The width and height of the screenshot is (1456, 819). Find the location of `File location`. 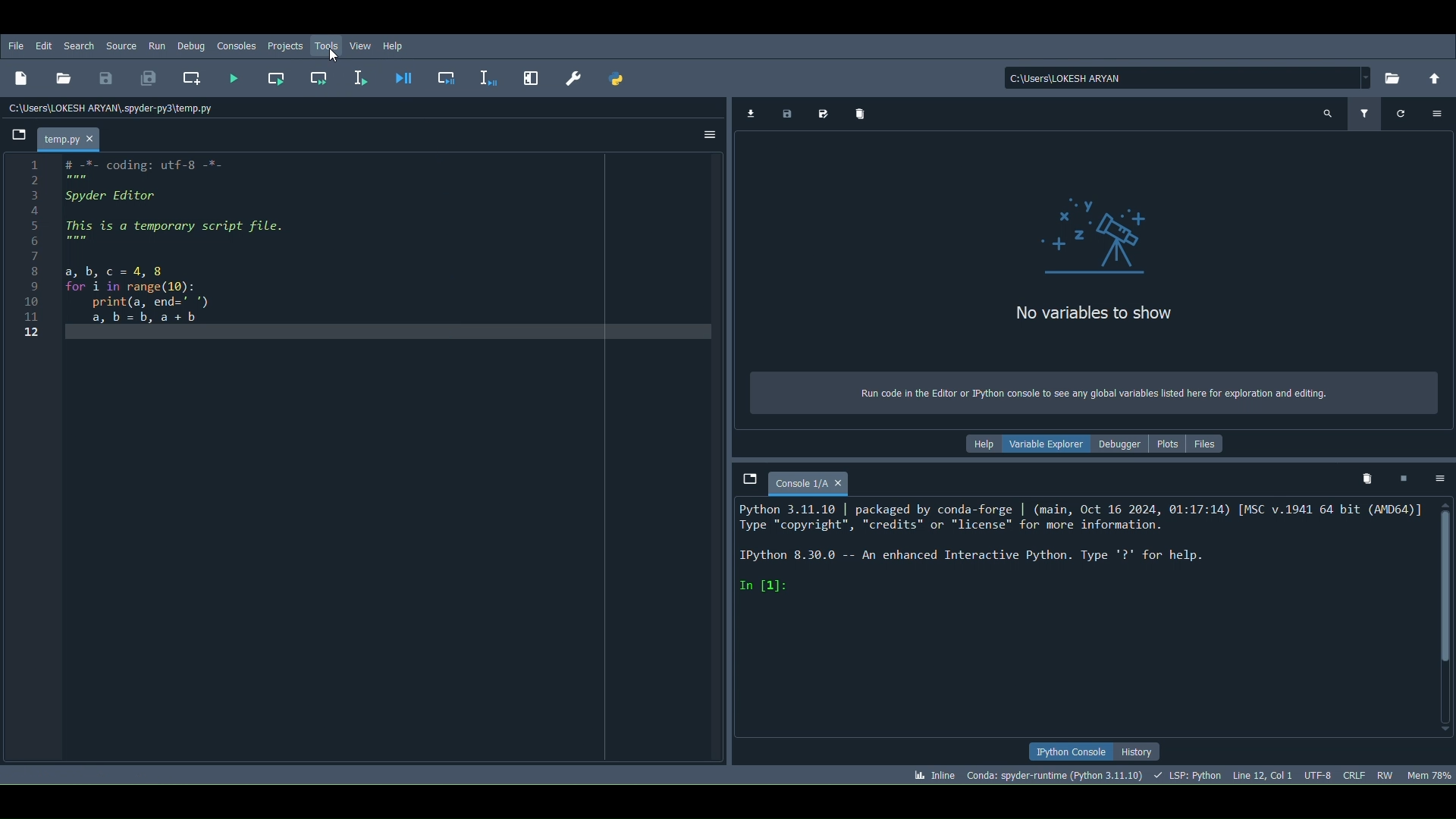

File location is located at coordinates (1189, 77).